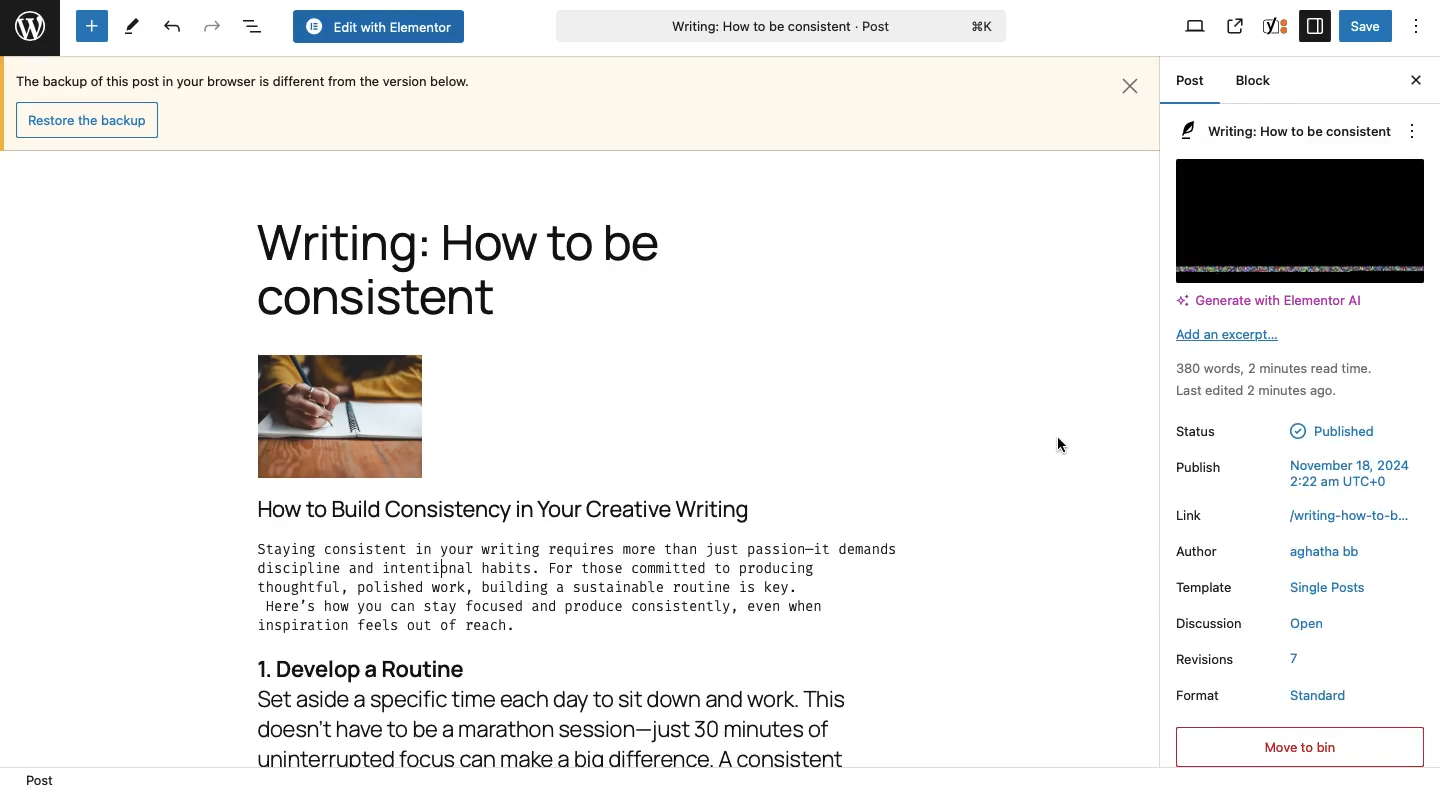 The image size is (1440, 792). I want to click on Format, so click(1196, 697).